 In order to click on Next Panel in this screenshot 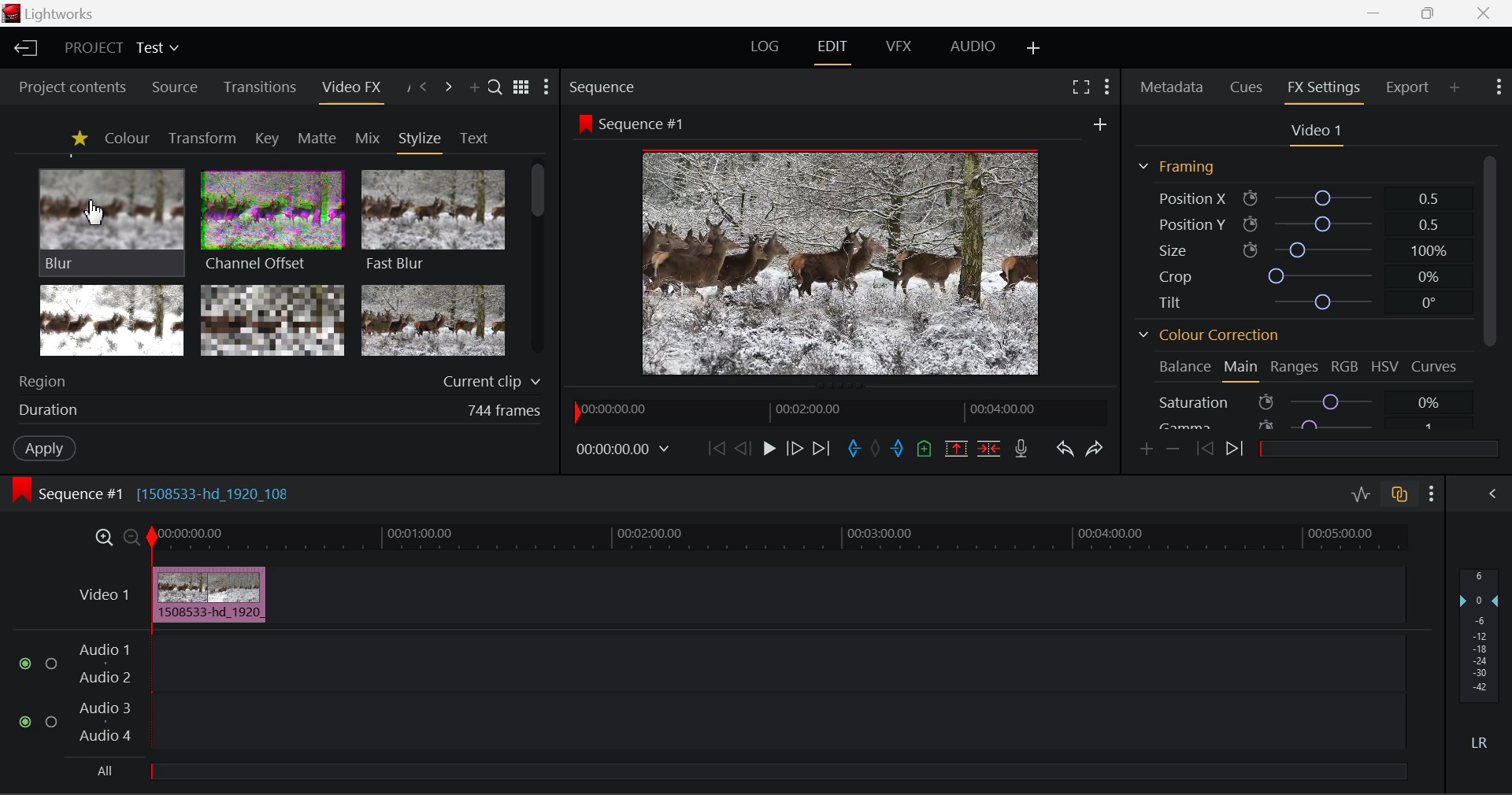, I will do `click(449, 87)`.